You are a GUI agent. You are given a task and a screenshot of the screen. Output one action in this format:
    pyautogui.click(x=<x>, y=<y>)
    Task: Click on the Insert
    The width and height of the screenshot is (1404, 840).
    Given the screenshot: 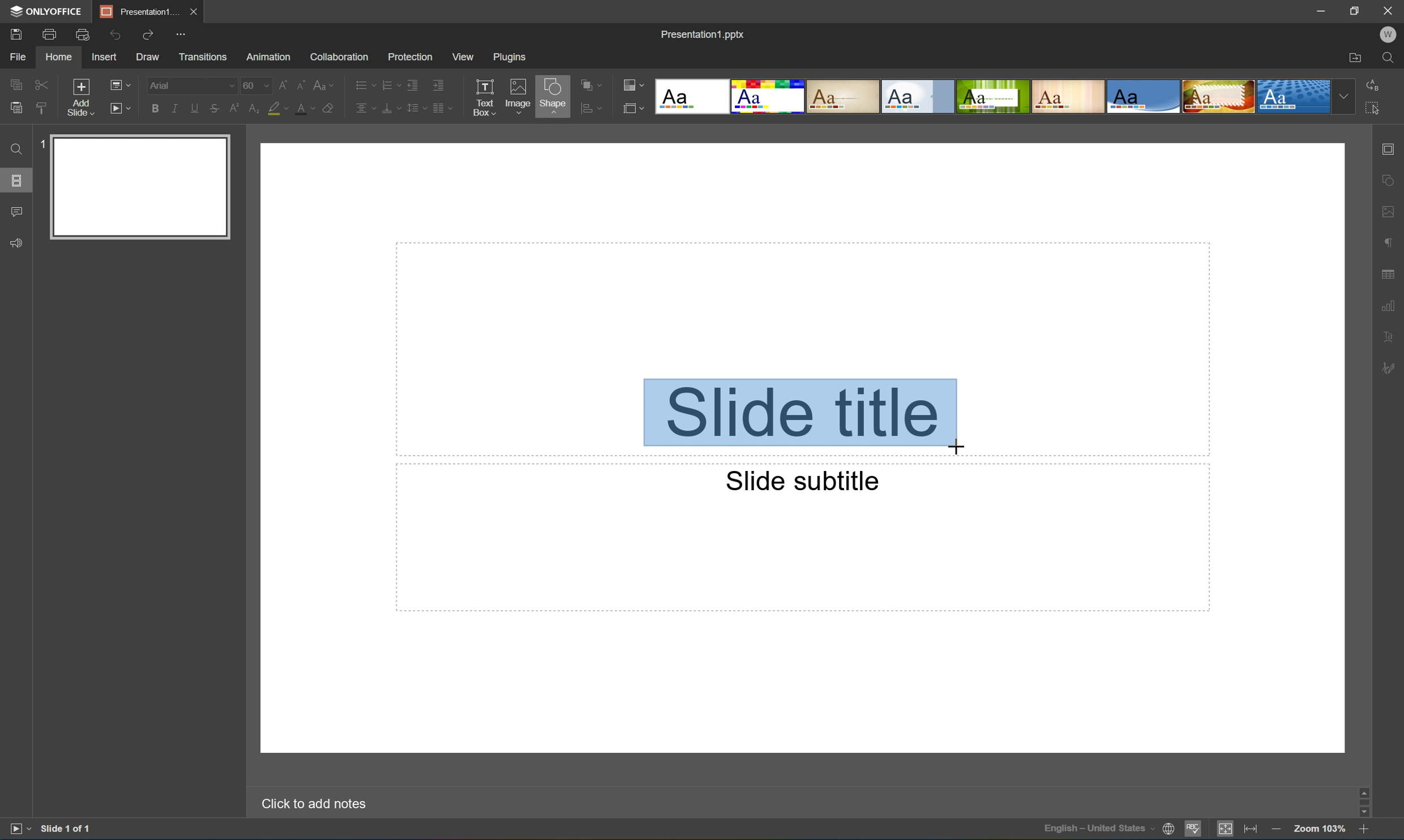 What is the action you would take?
    pyautogui.click(x=106, y=58)
    